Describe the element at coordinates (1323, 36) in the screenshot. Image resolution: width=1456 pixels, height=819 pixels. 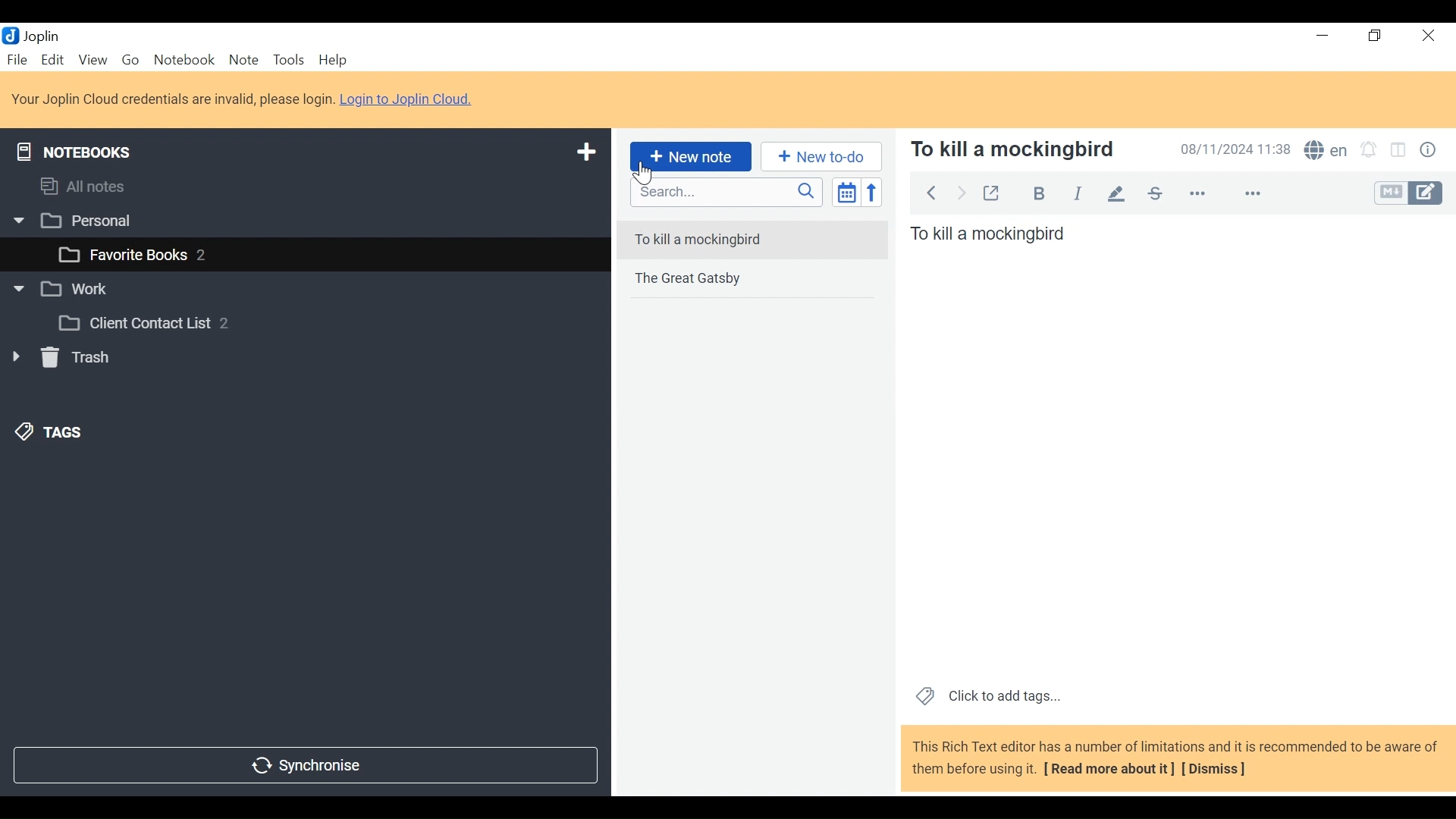
I see `minimize` at that location.